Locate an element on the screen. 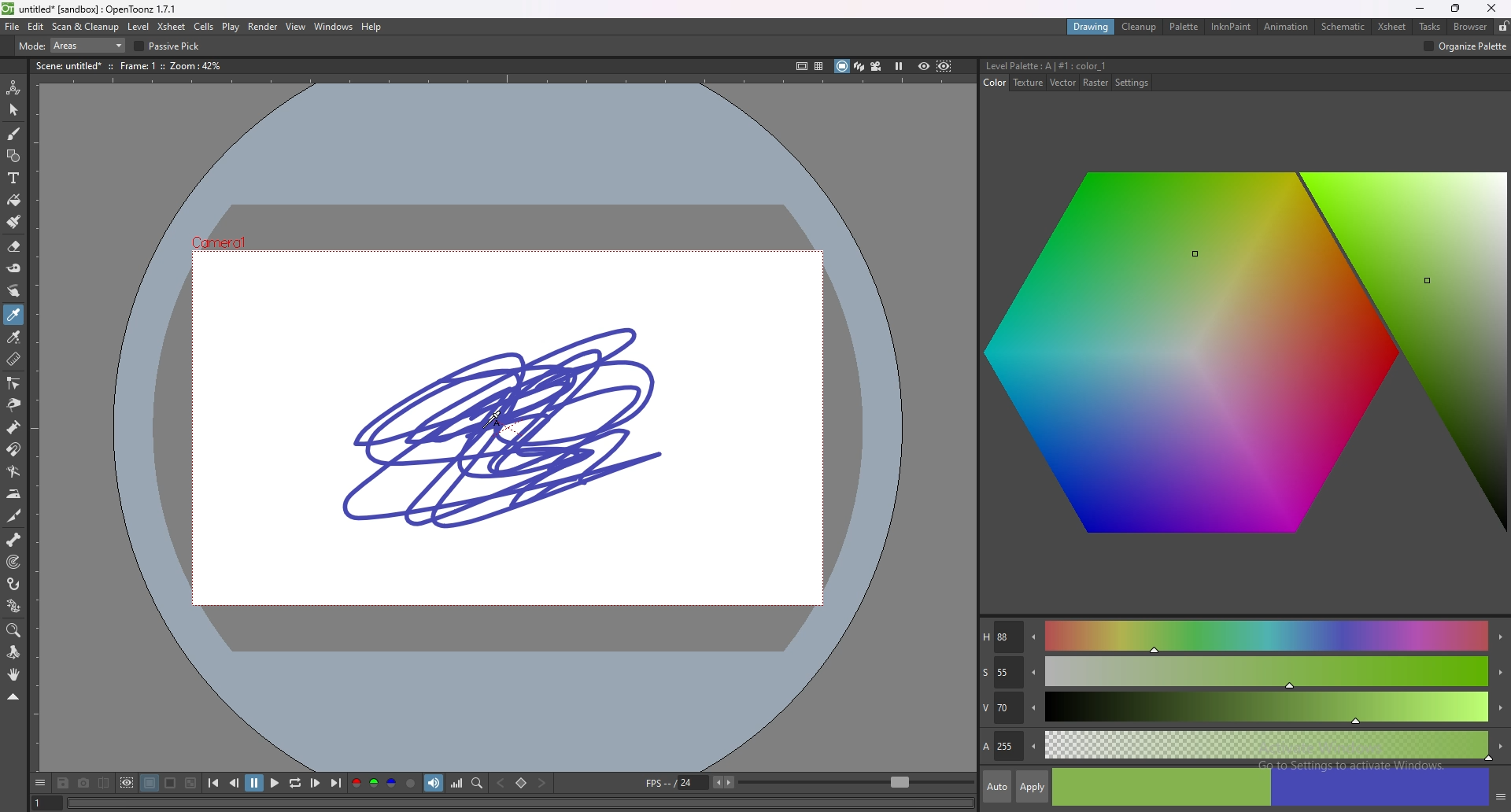 Image resolution: width=1511 pixels, height=812 pixels. next frame is located at coordinates (315, 782).